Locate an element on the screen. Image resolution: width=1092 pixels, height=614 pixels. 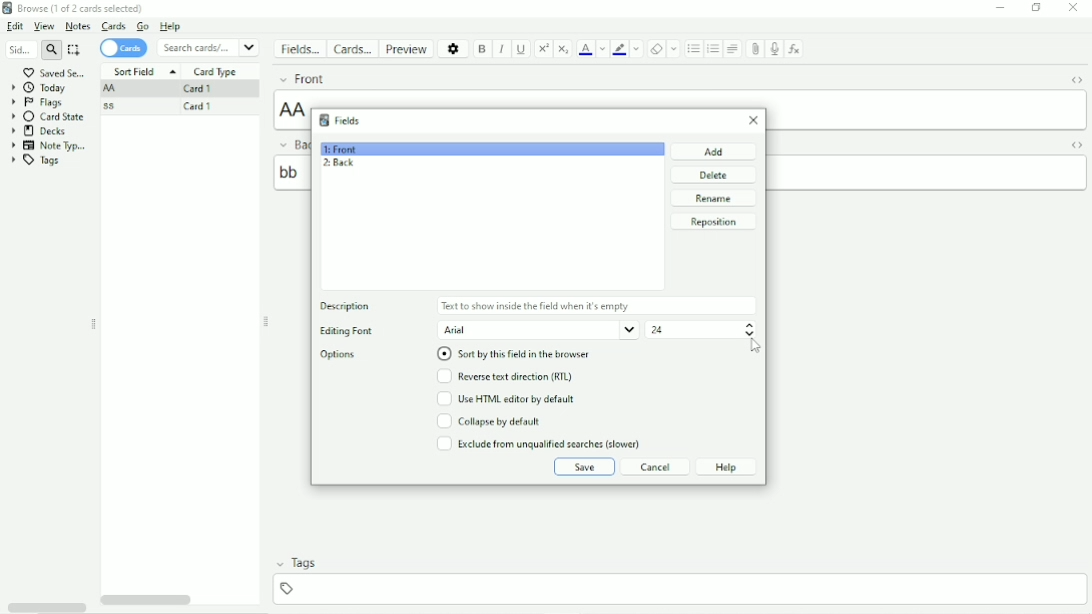
Anki logo is located at coordinates (324, 120).